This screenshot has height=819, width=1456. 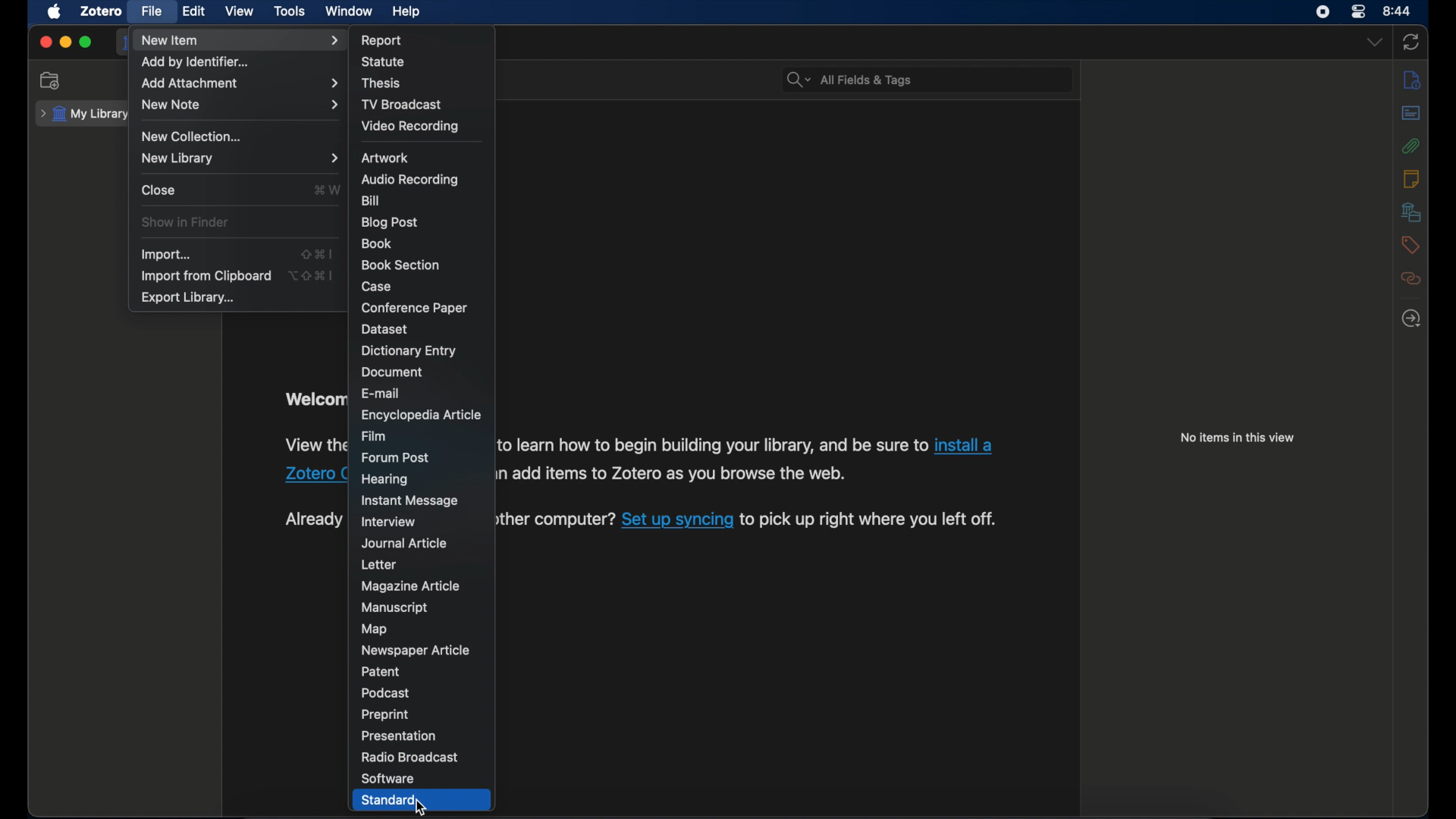 I want to click on attachments, so click(x=1411, y=146).